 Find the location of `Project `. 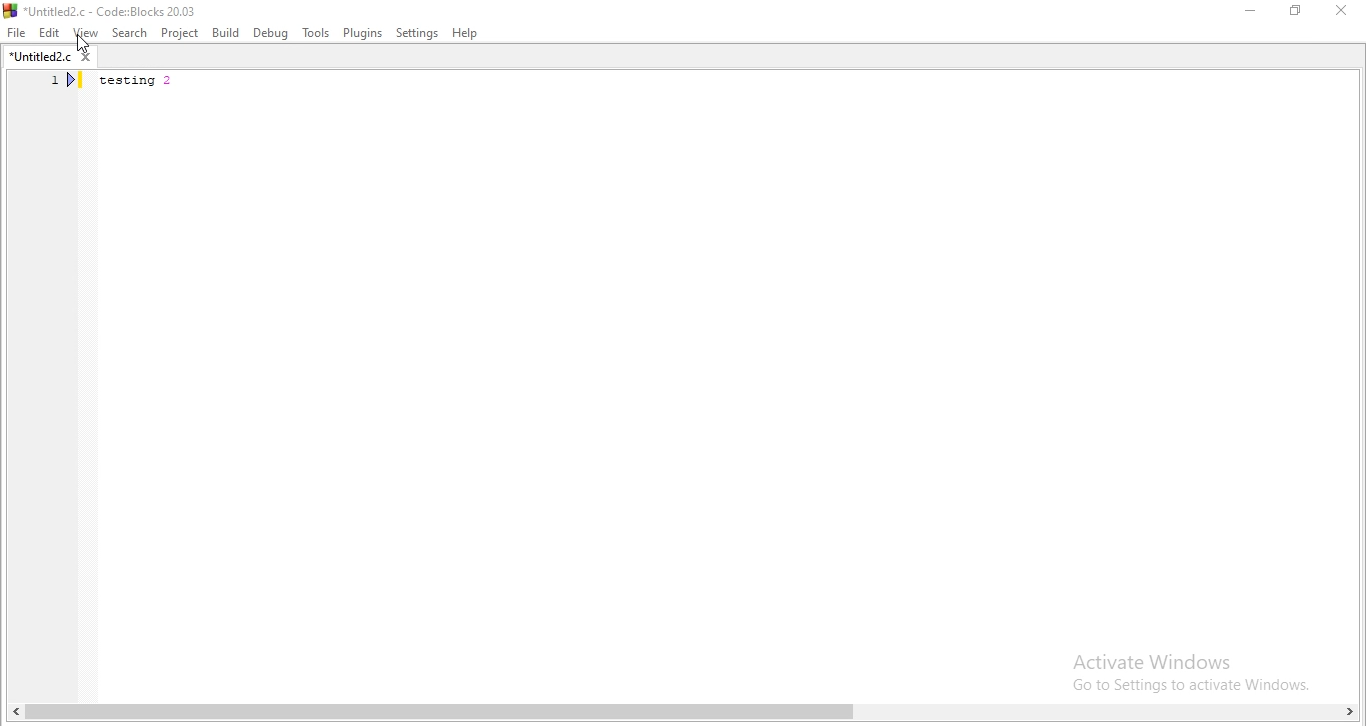

Project  is located at coordinates (180, 34).